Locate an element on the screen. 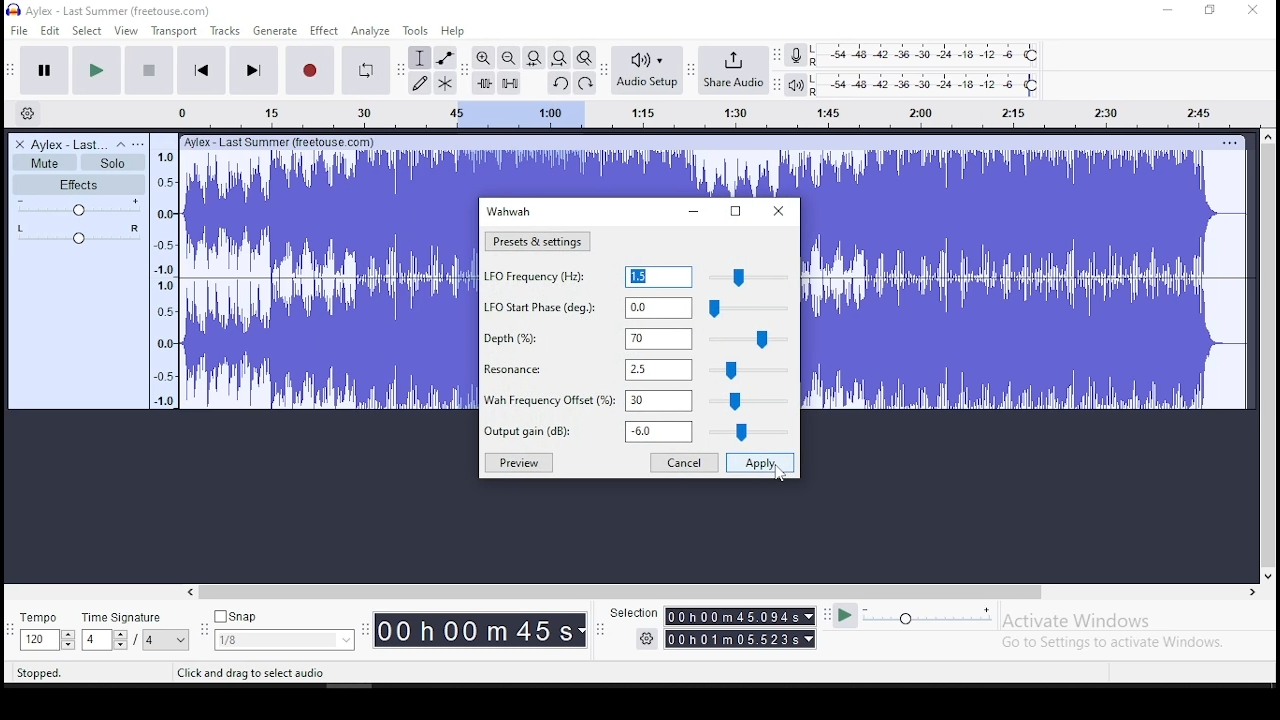 This screenshot has height=720, width=1280. zoom in is located at coordinates (483, 58).